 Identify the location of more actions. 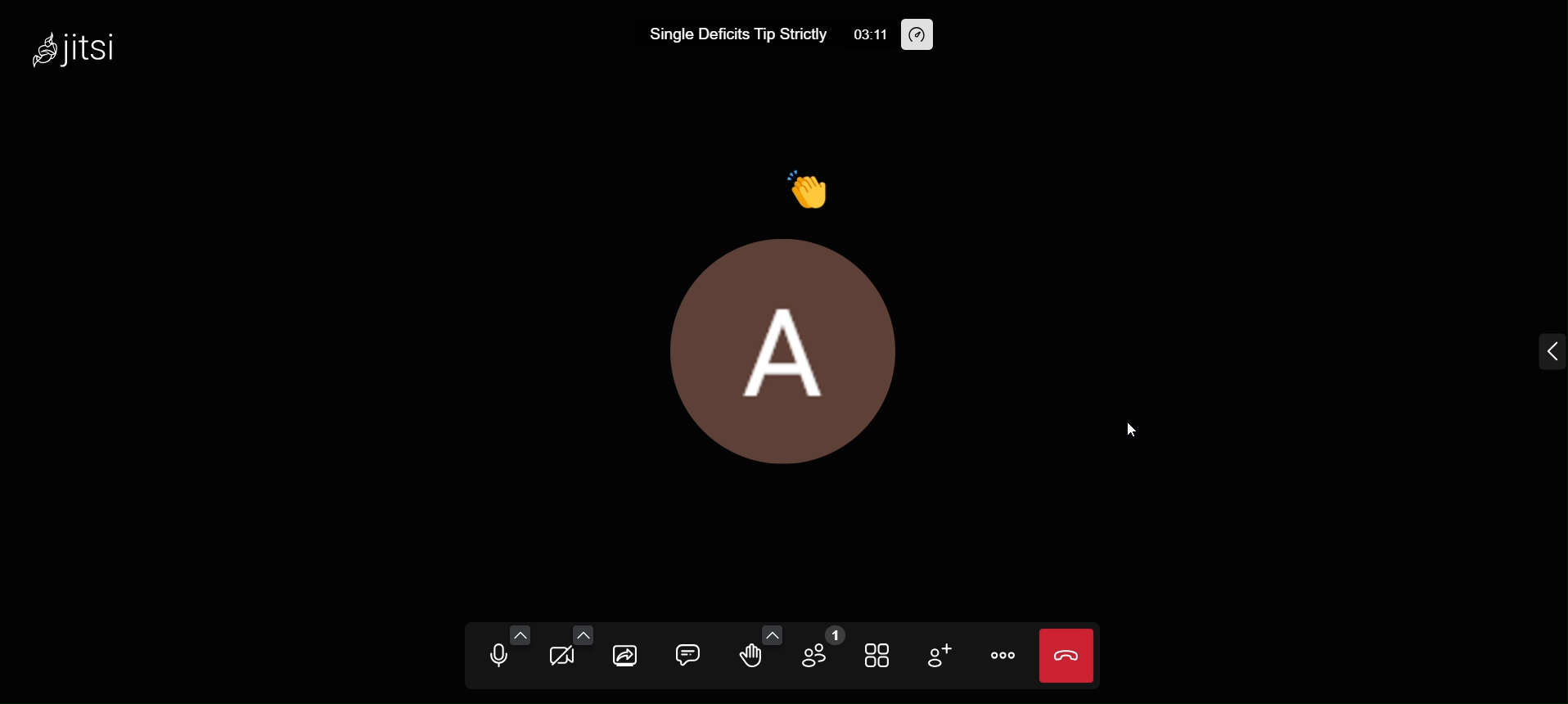
(1006, 653).